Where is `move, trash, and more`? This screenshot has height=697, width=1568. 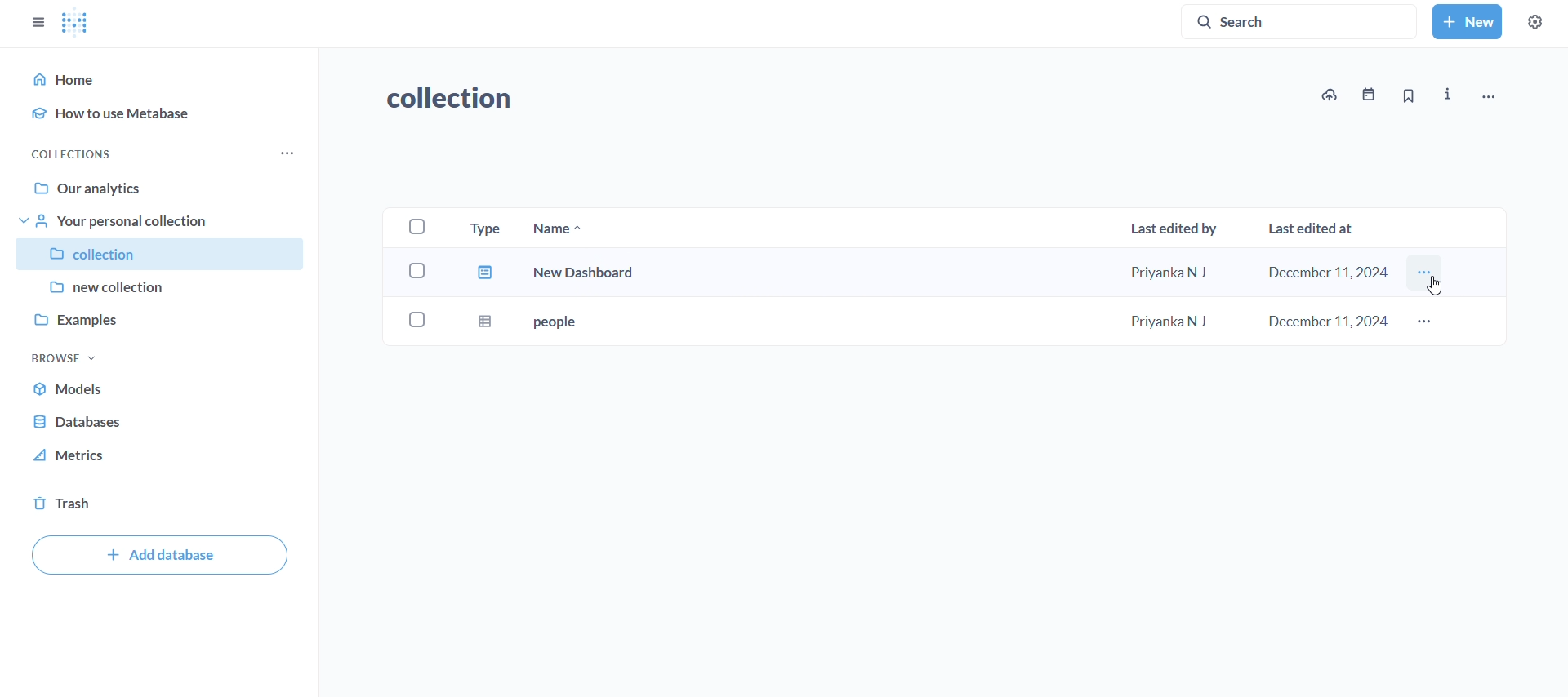 move, trash, and more is located at coordinates (1488, 95).